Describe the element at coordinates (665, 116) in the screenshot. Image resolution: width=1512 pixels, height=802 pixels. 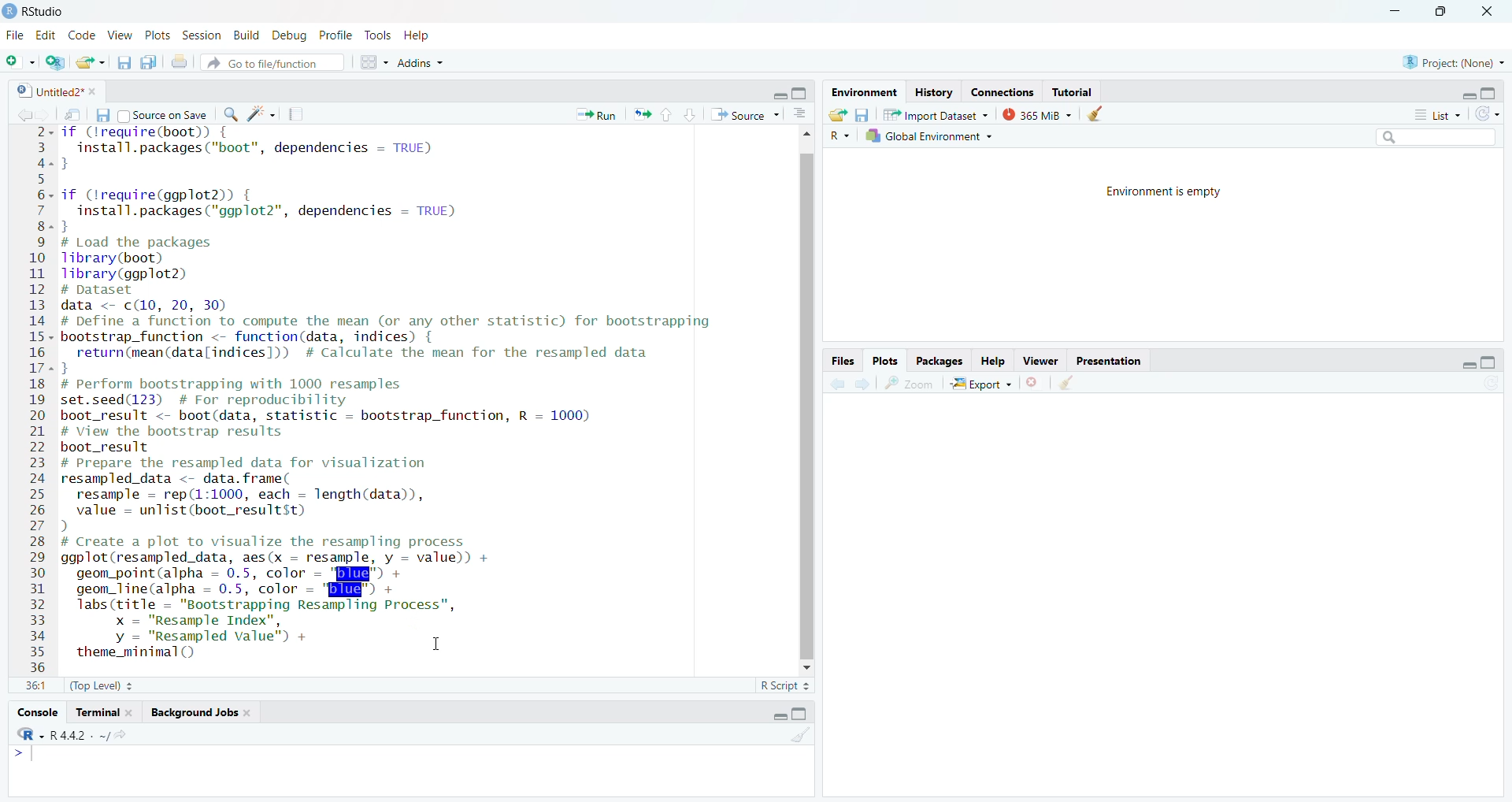
I see `go to previous section/chunk` at that location.